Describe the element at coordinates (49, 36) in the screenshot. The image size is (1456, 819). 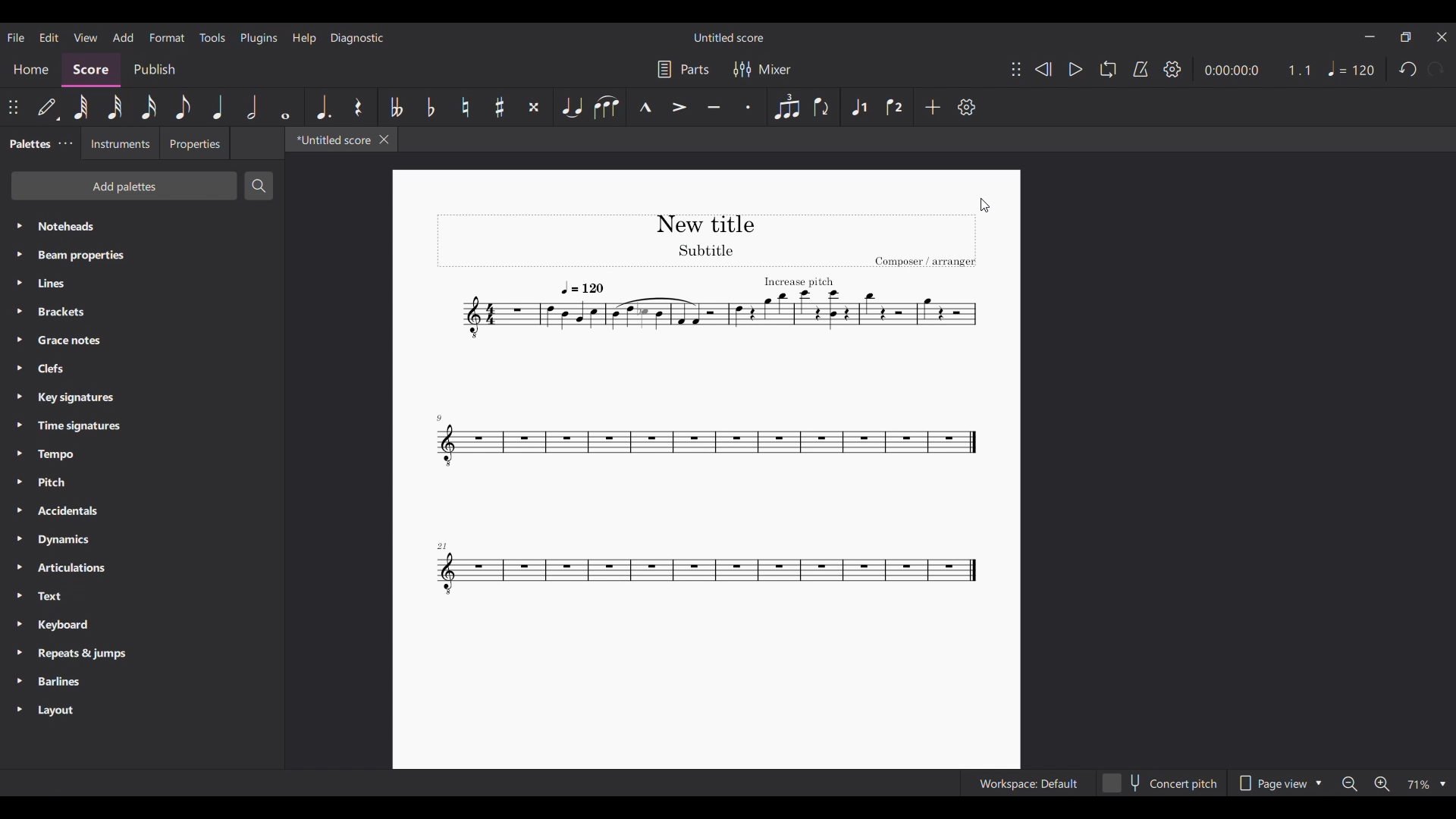
I see `Edit menu` at that location.